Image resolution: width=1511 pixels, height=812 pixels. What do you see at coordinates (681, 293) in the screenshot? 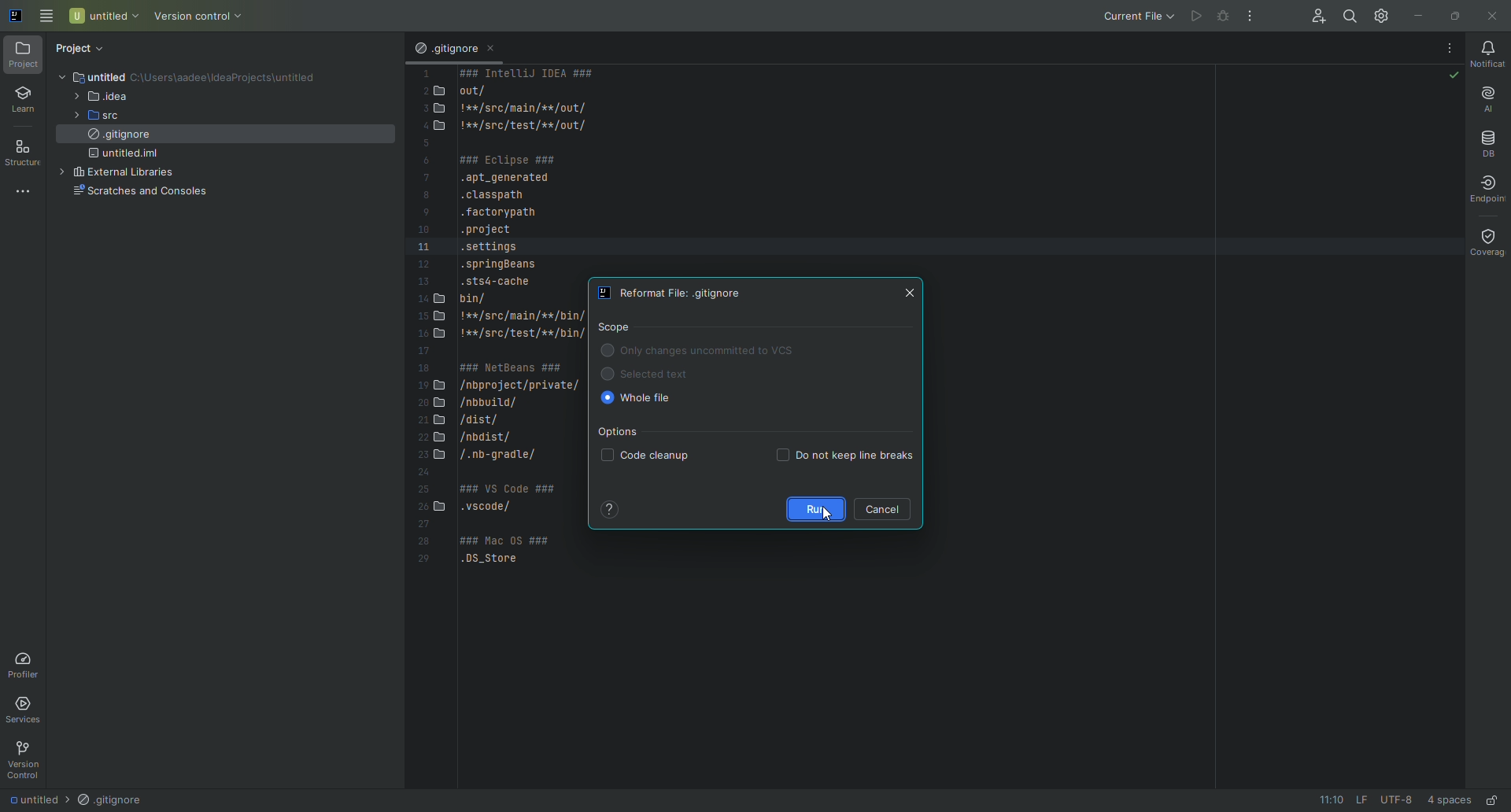
I see `Reformat File: .gitigmore` at bounding box center [681, 293].